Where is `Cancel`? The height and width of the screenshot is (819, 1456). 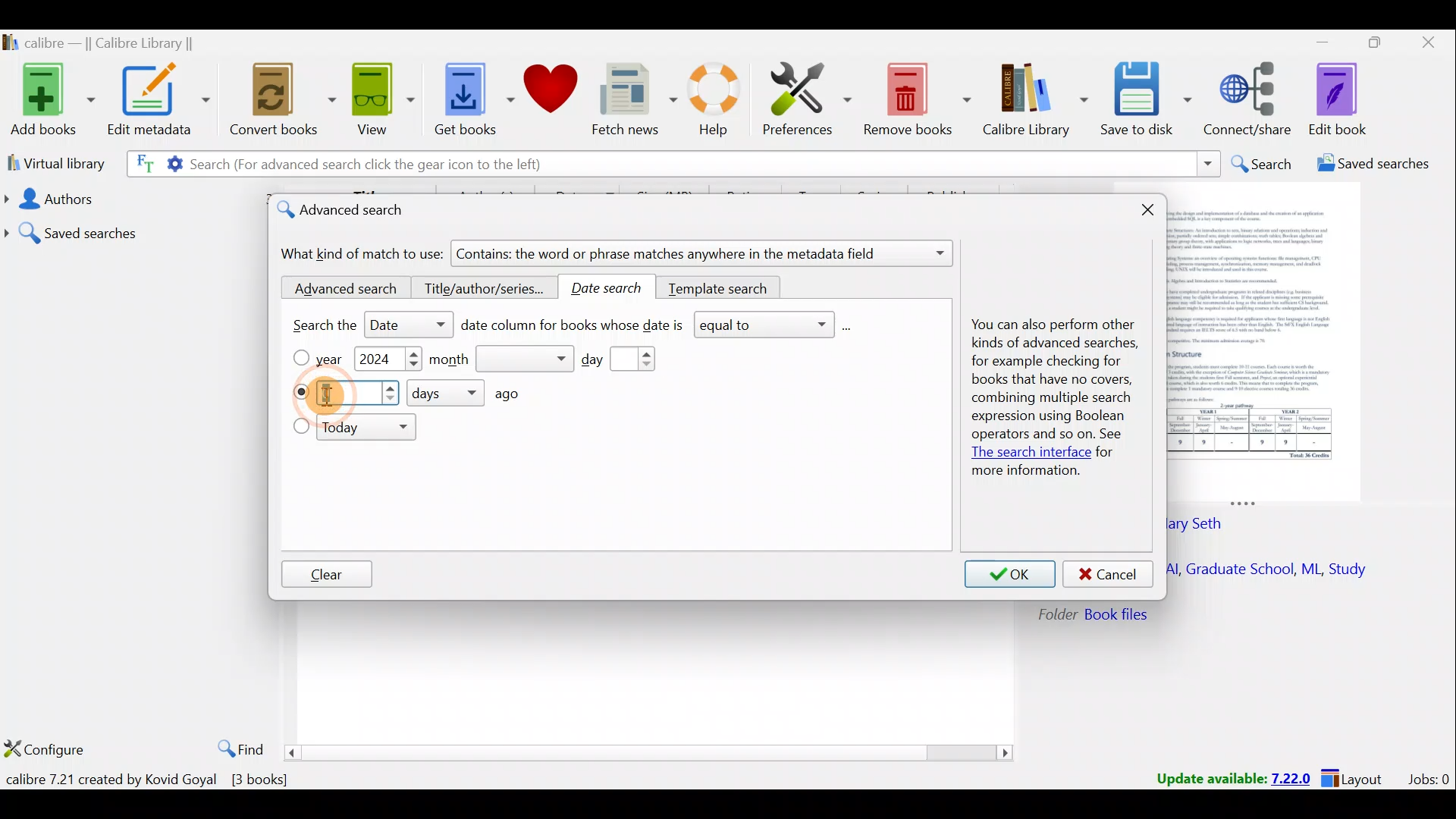 Cancel is located at coordinates (1109, 575).